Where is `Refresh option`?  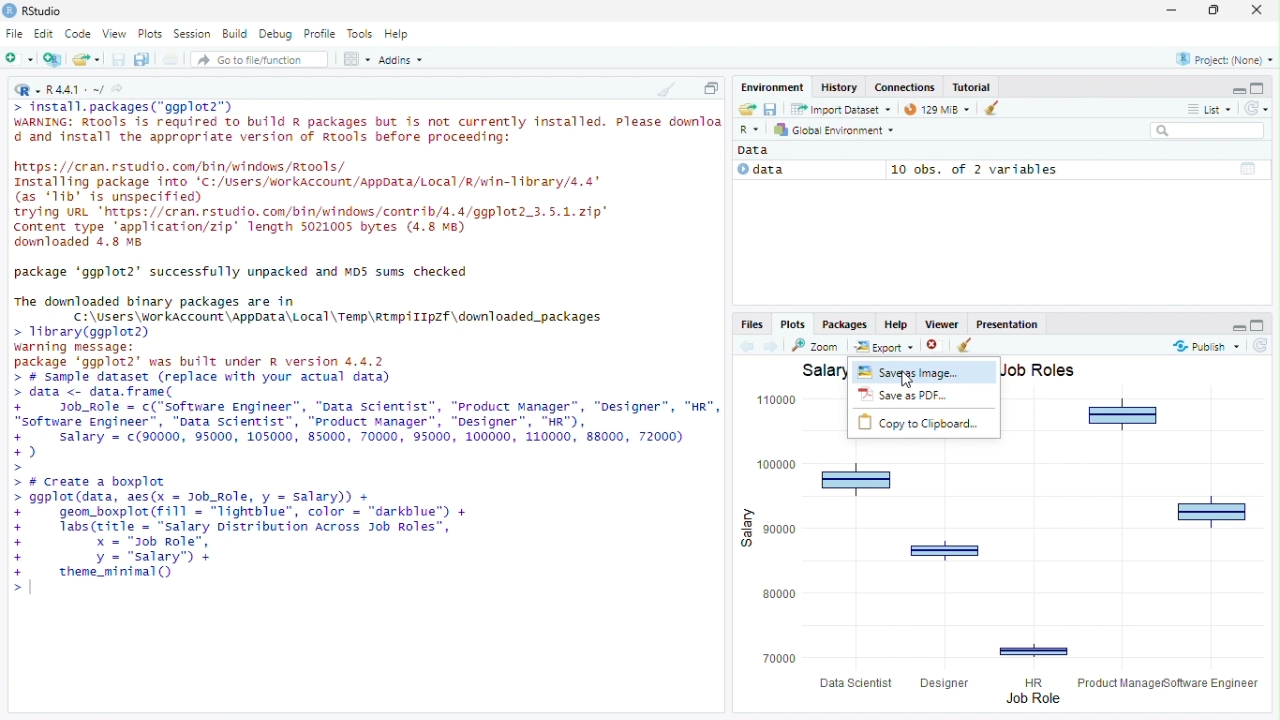
Refresh option is located at coordinates (1255, 107).